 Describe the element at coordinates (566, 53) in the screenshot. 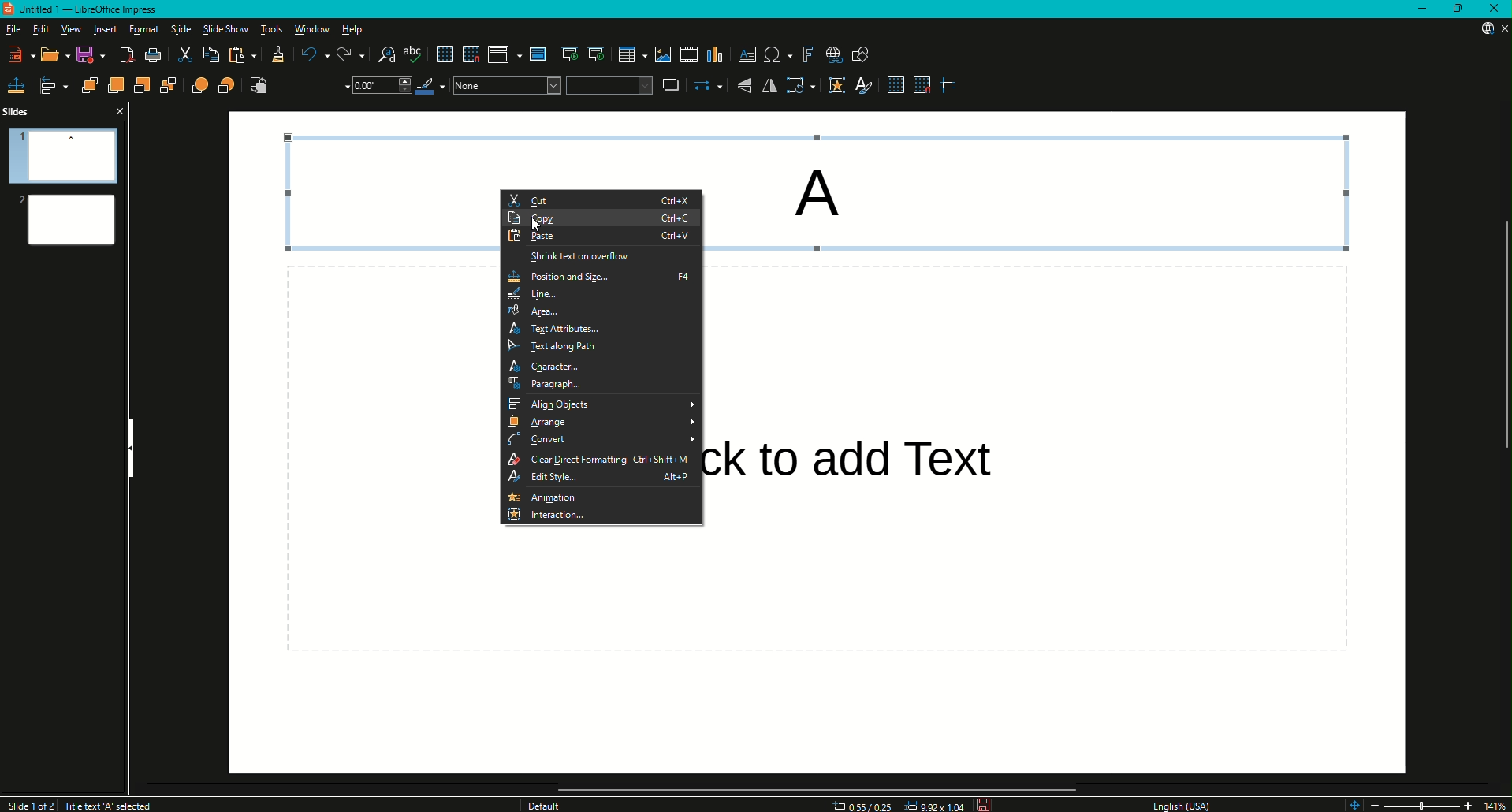

I see `Start from first slide` at that location.